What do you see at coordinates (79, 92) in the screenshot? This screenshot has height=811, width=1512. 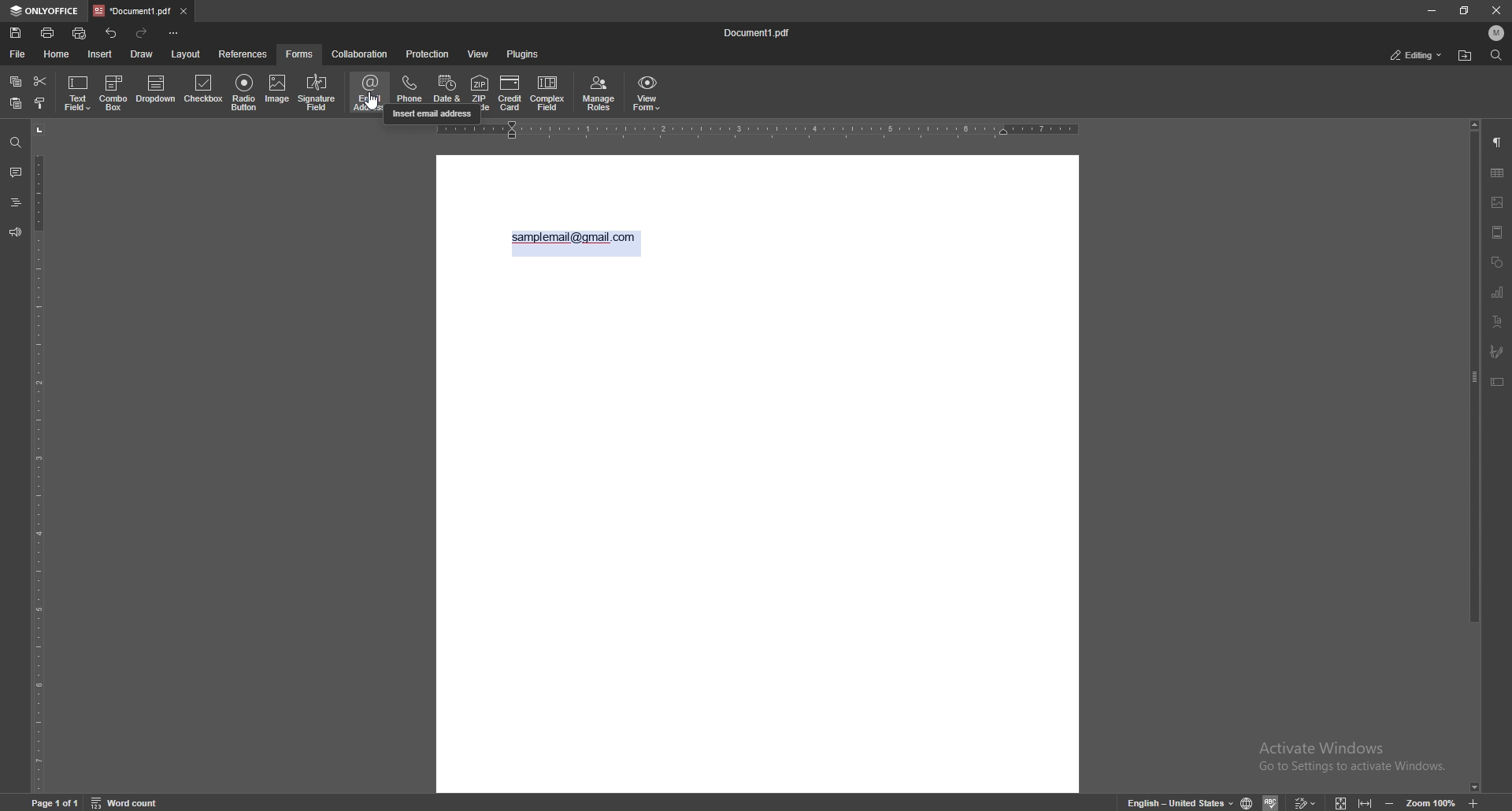 I see `text field` at bounding box center [79, 92].